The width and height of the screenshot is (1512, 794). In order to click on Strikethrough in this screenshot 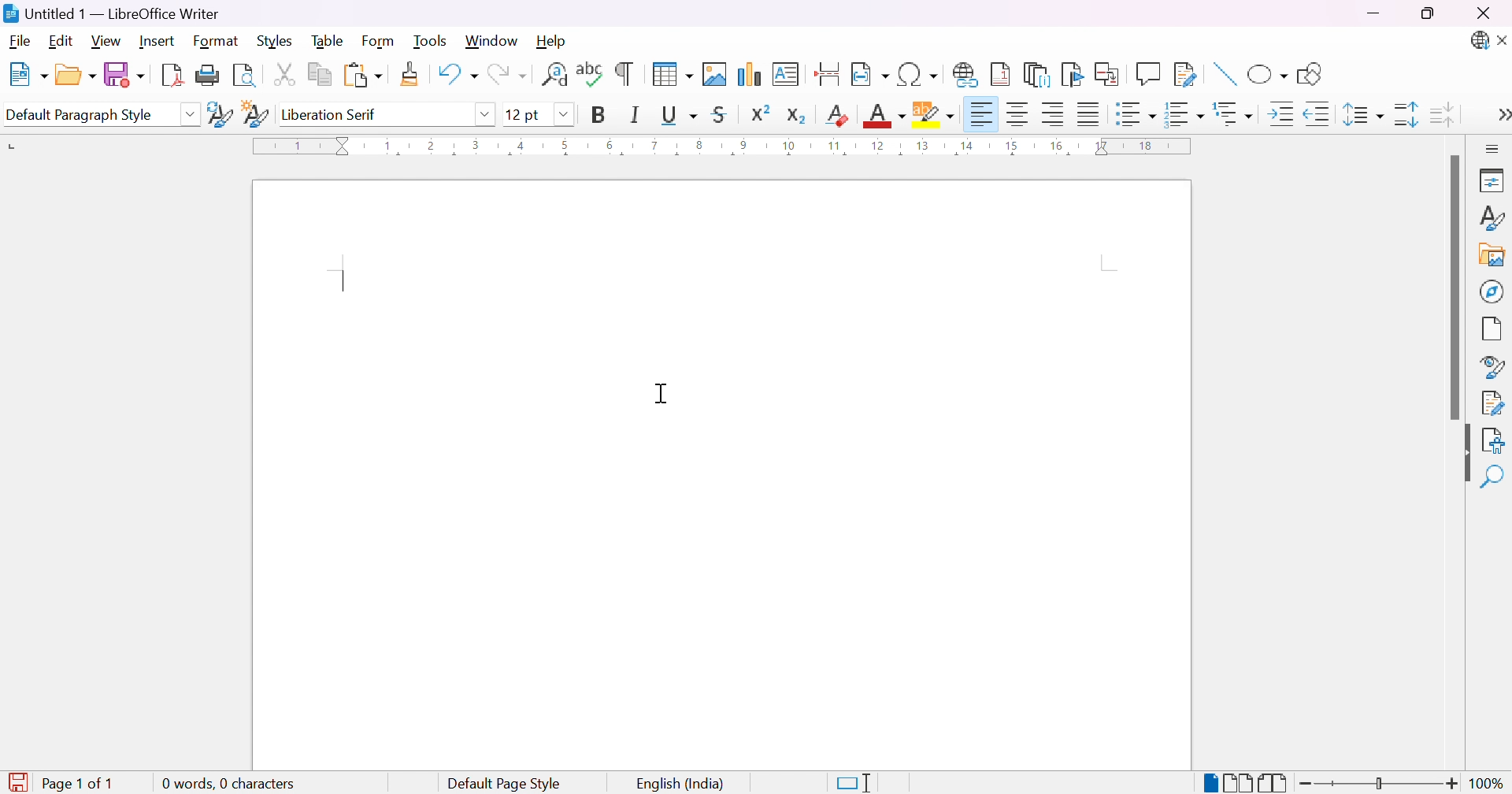, I will do `click(723, 114)`.